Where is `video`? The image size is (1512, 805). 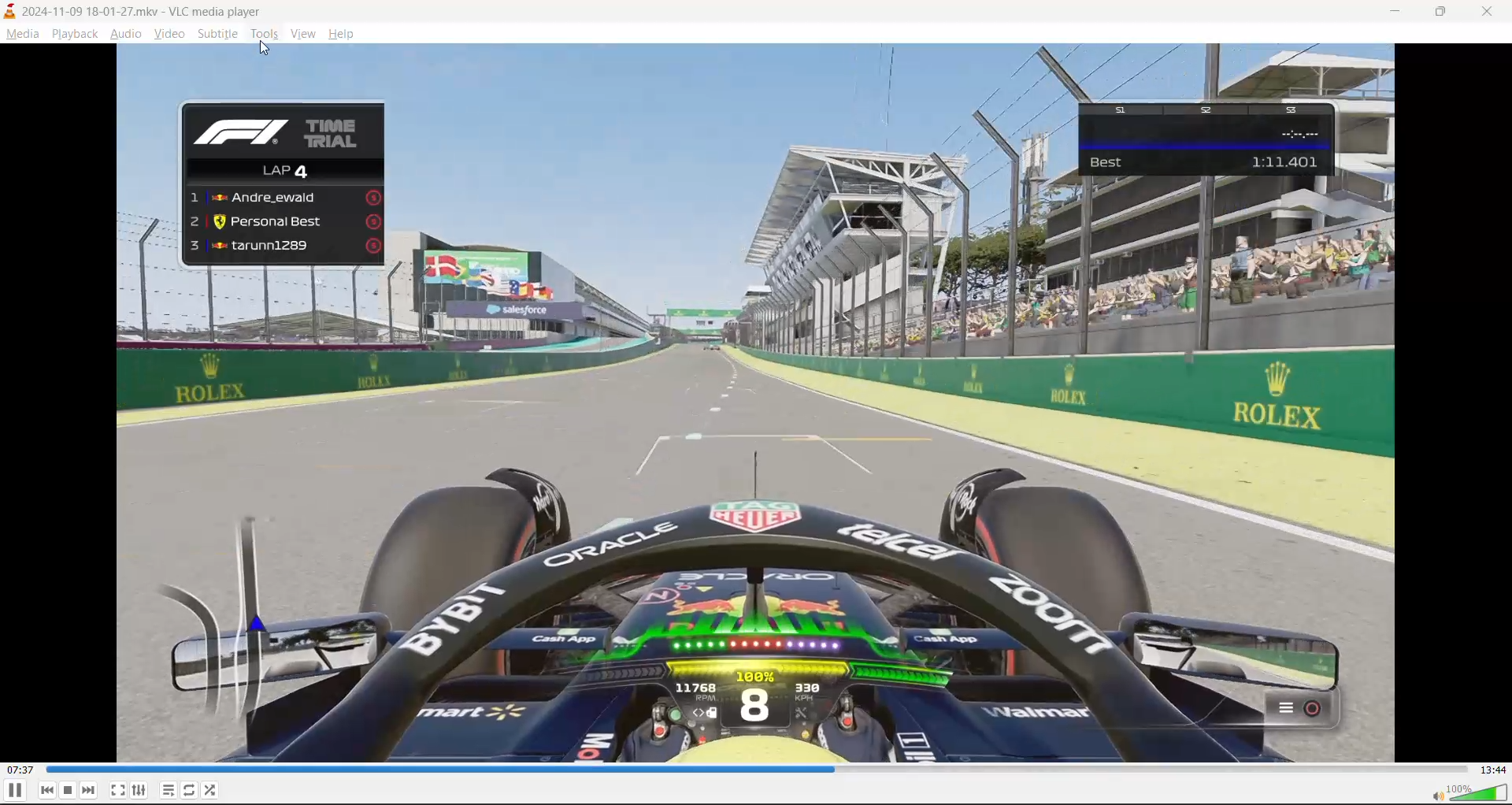 video is located at coordinates (169, 34).